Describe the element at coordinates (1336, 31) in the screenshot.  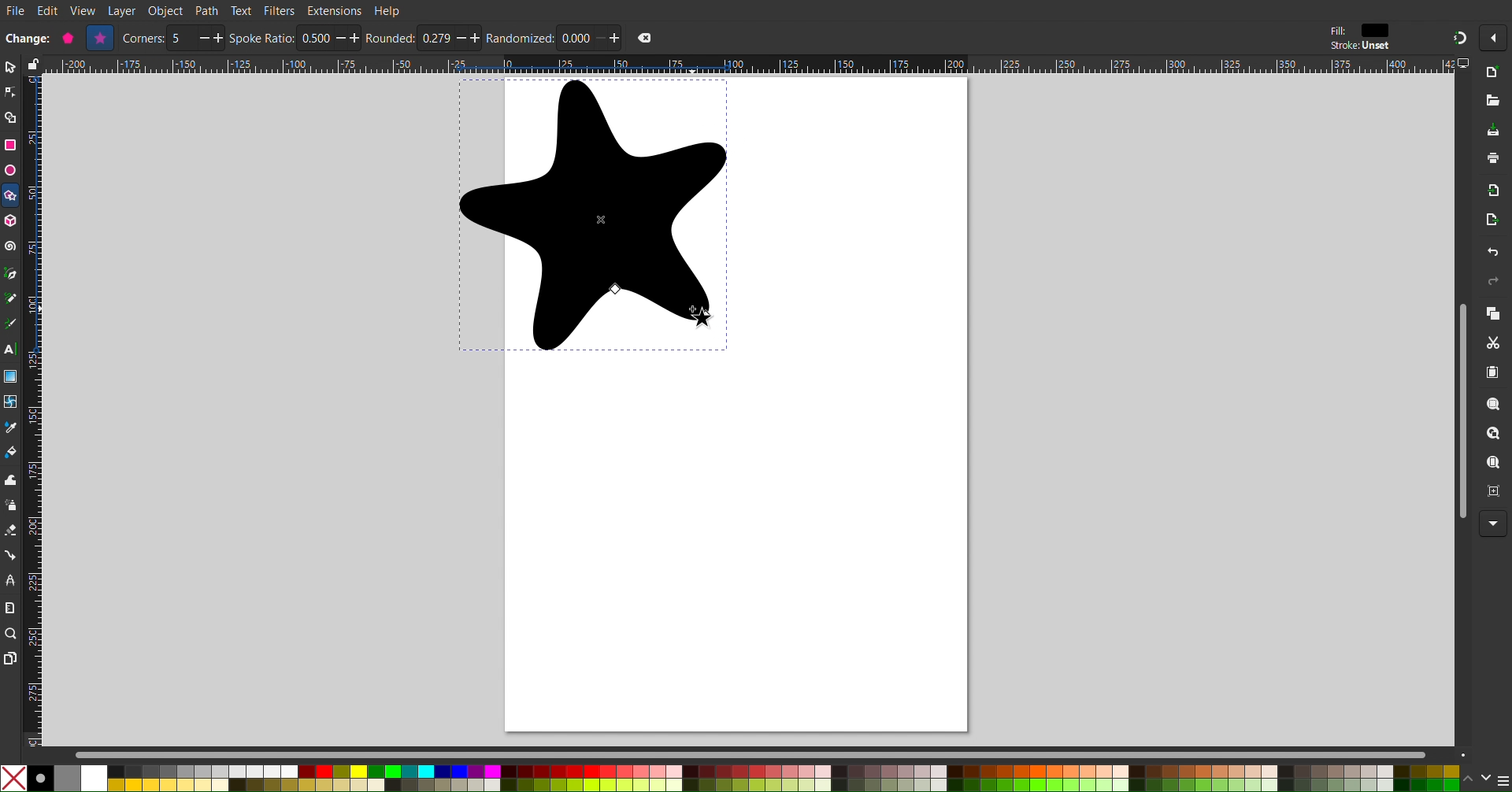
I see `Fill` at that location.